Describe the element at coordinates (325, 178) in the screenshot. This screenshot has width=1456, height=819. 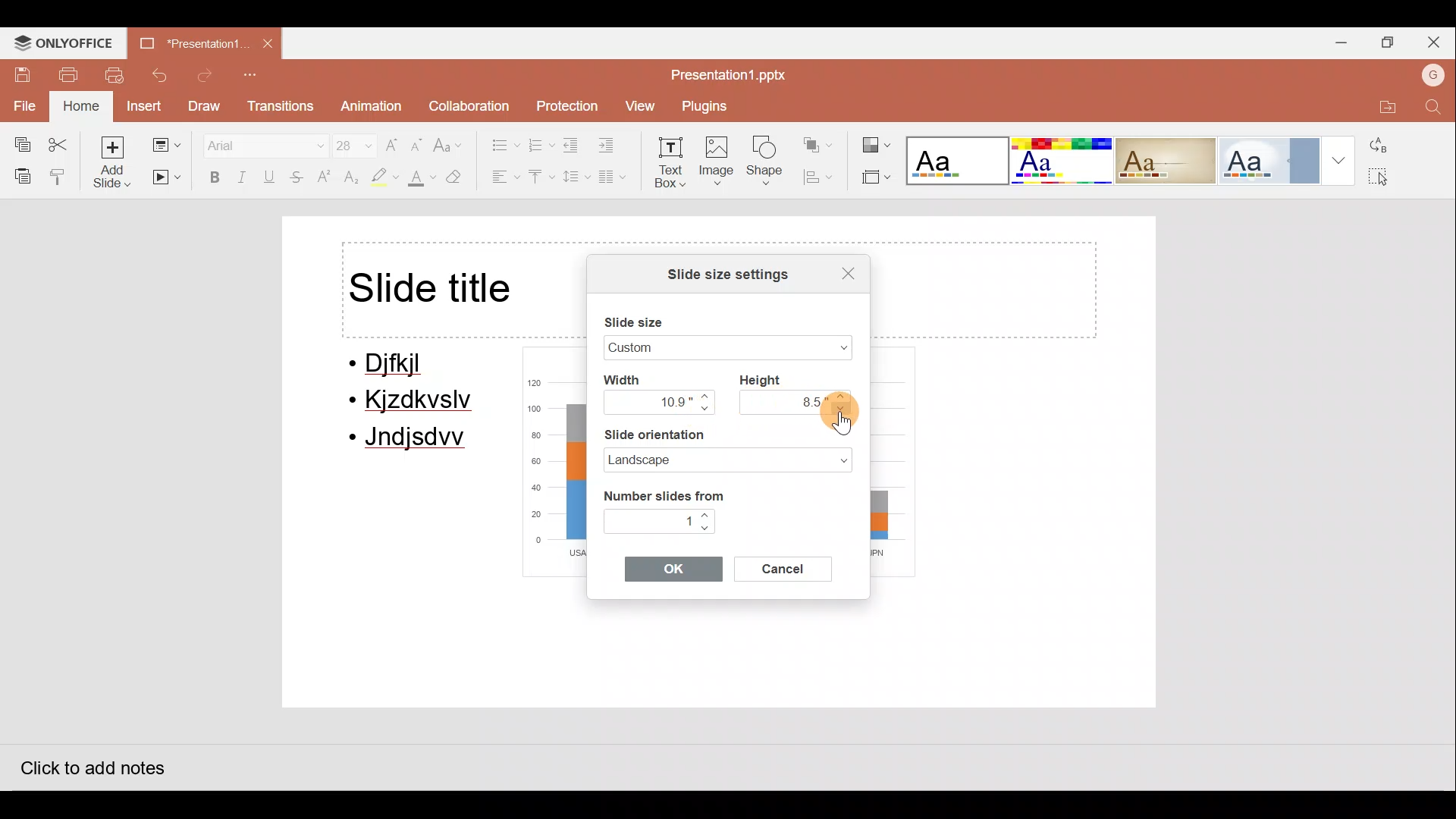
I see `Superscript` at that location.